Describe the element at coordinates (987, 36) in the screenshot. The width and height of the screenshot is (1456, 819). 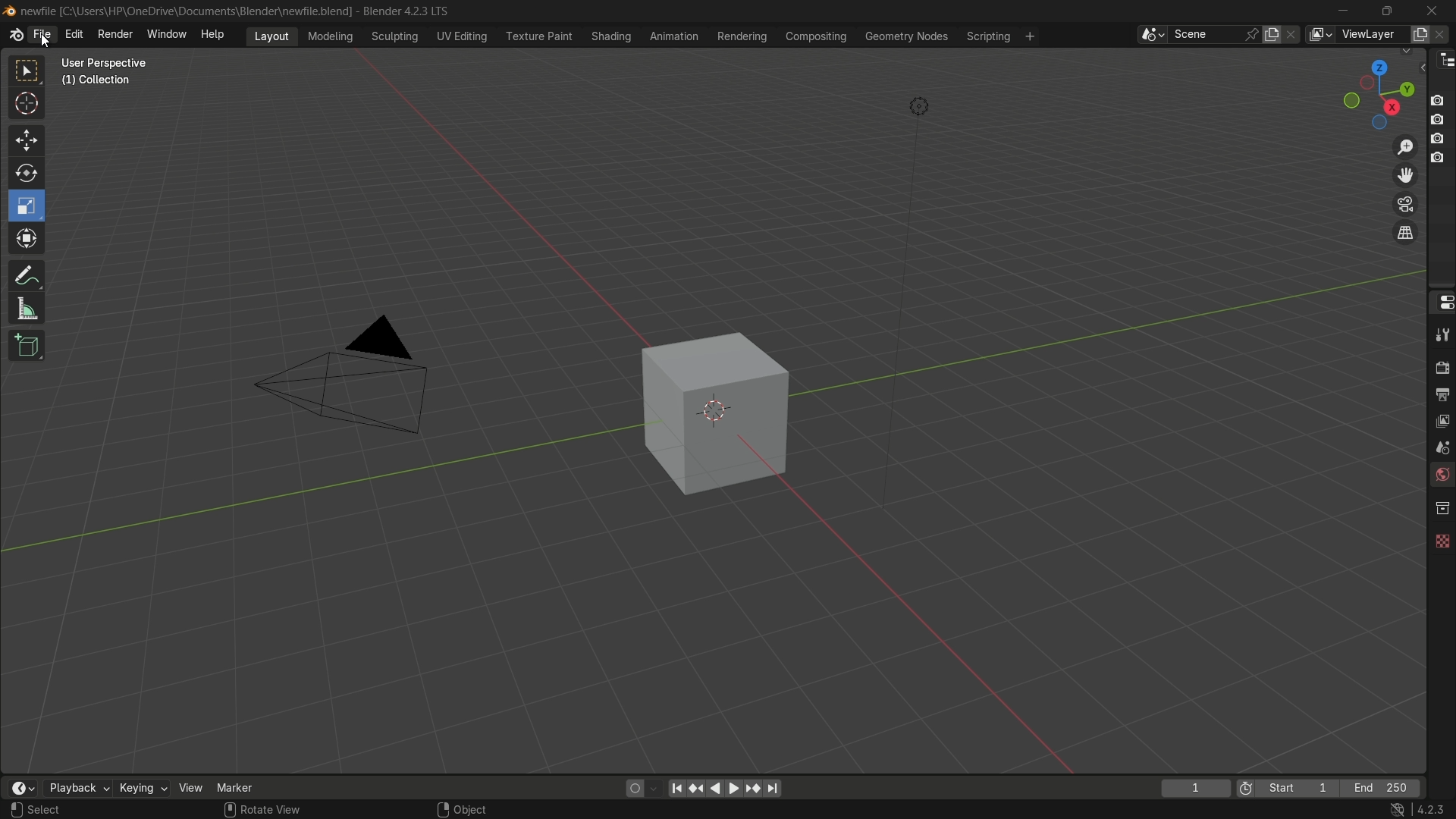
I see `scripting menu` at that location.